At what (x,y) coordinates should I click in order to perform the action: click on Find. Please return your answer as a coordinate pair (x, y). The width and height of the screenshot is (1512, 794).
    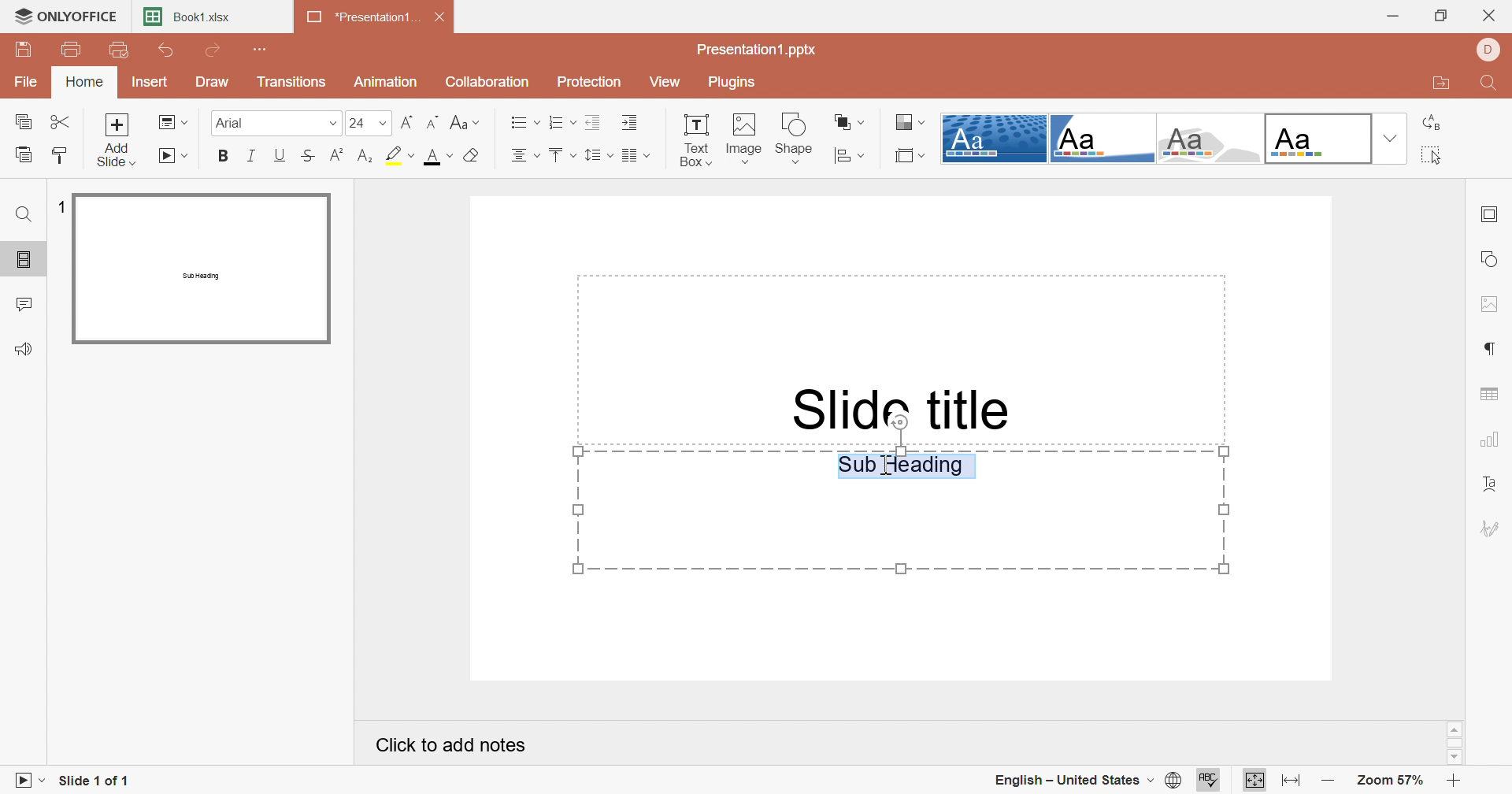
    Looking at the image, I should click on (24, 213).